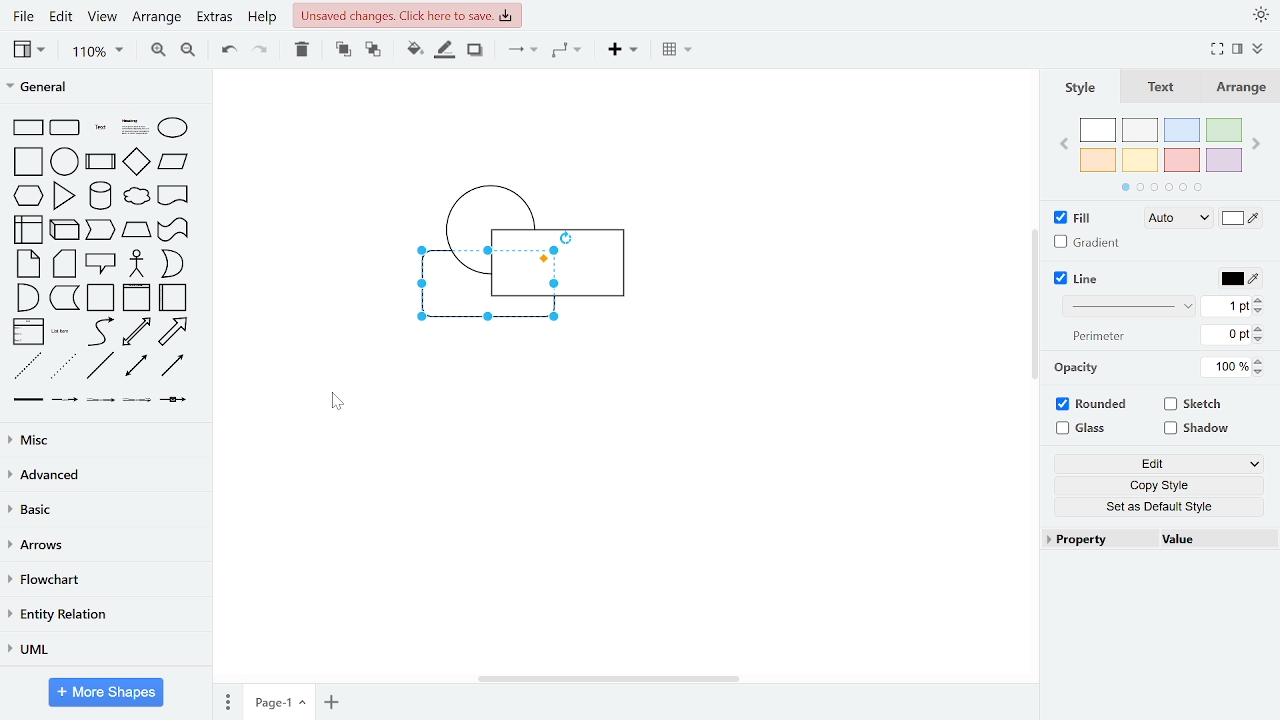 This screenshot has width=1280, height=720. I want to click on fill colors, so click(1240, 218).